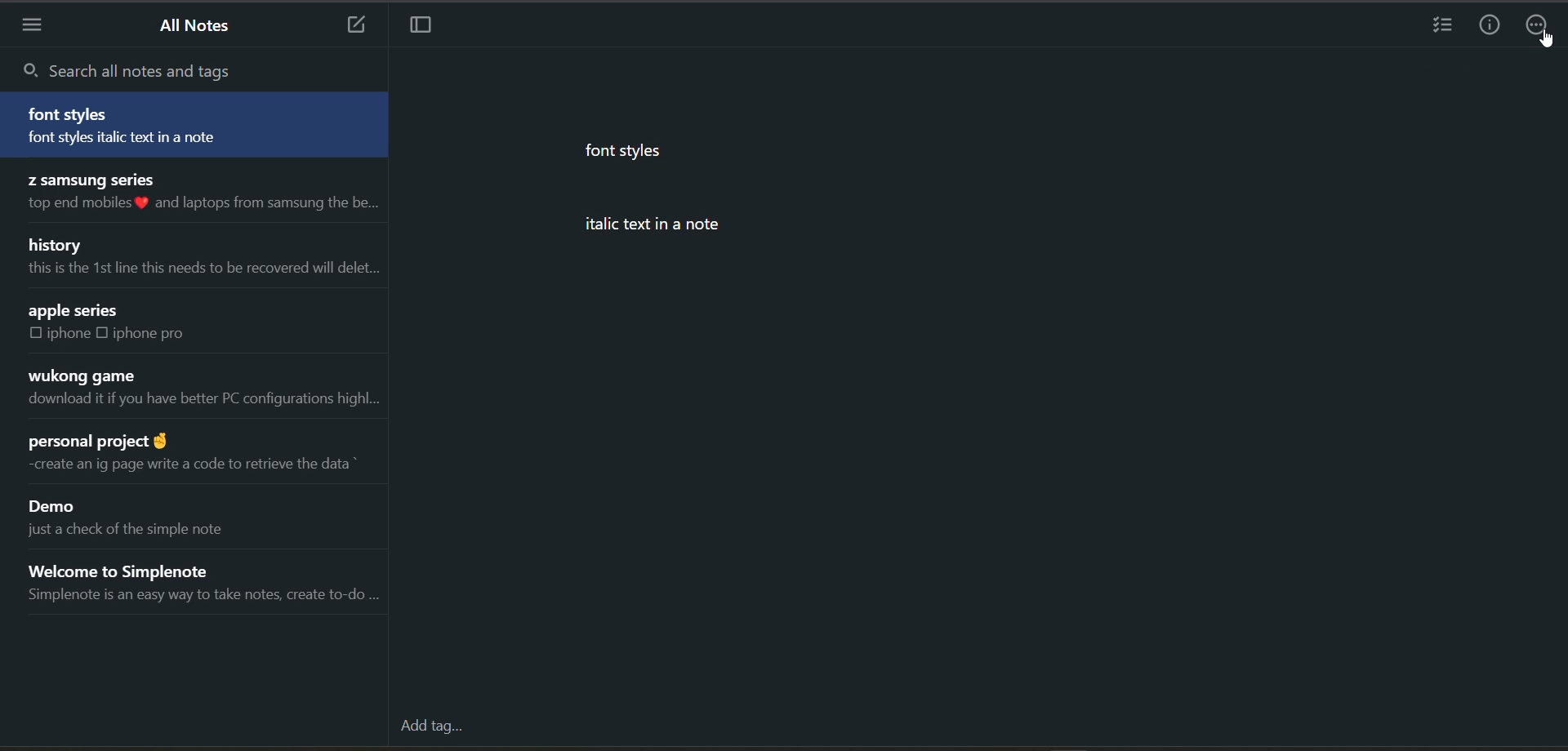 The width and height of the screenshot is (1568, 751). Describe the element at coordinates (434, 725) in the screenshot. I see `add tag` at that location.